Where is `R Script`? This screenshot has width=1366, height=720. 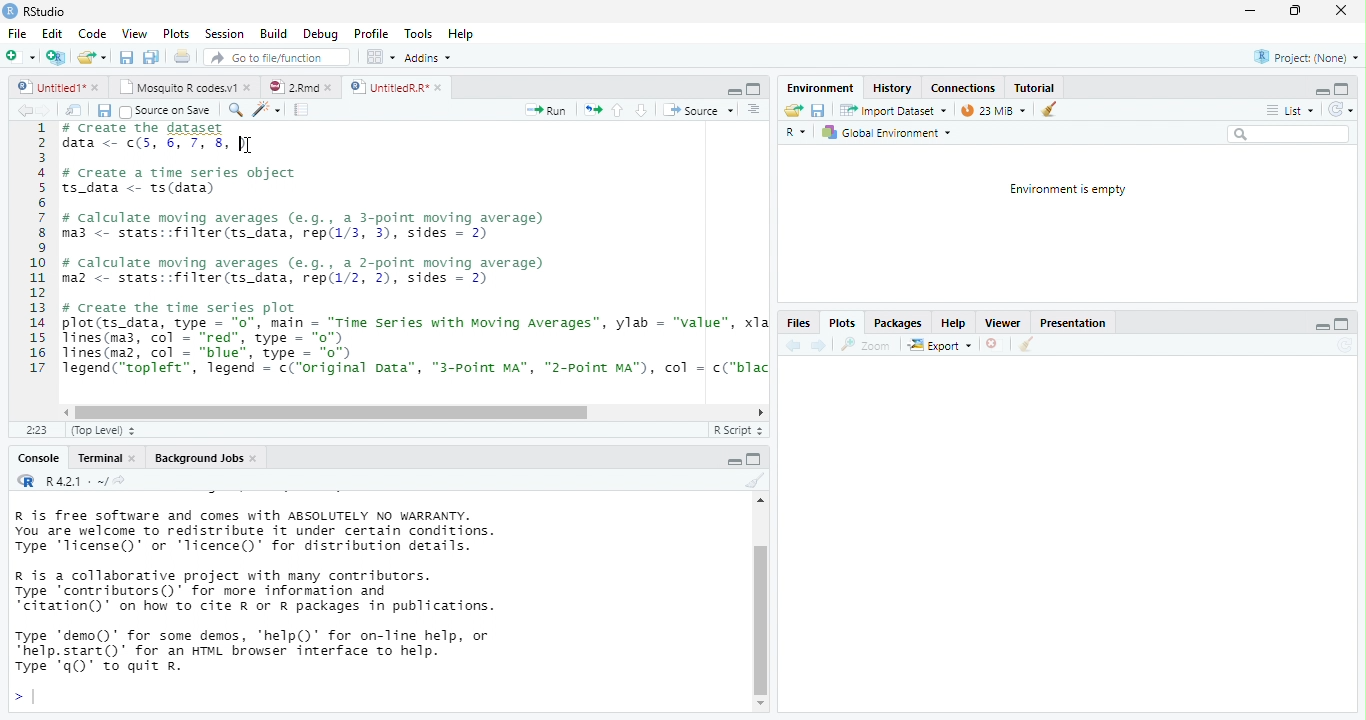
R Script is located at coordinates (736, 430).